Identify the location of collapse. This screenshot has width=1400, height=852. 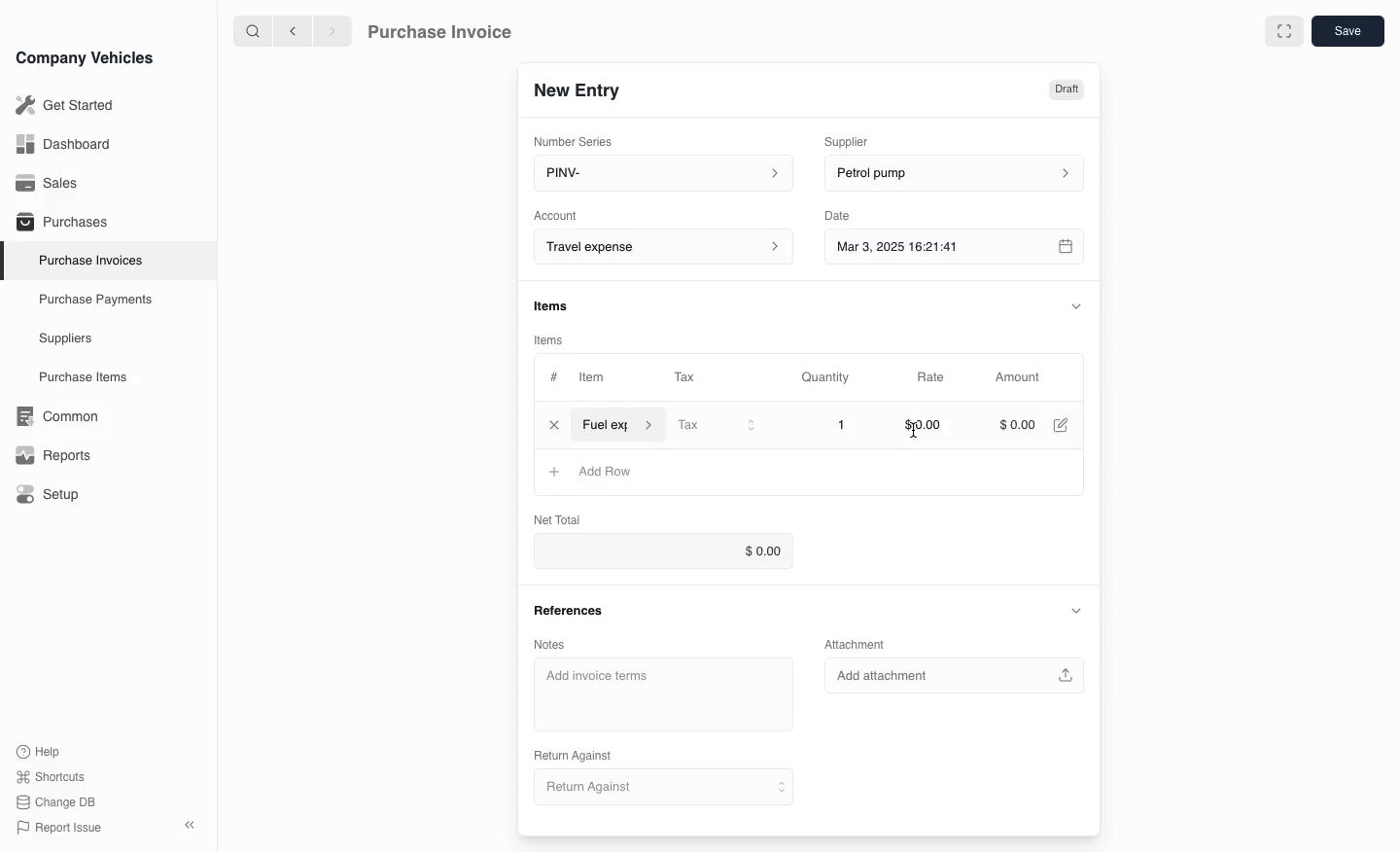
(1077, 304).